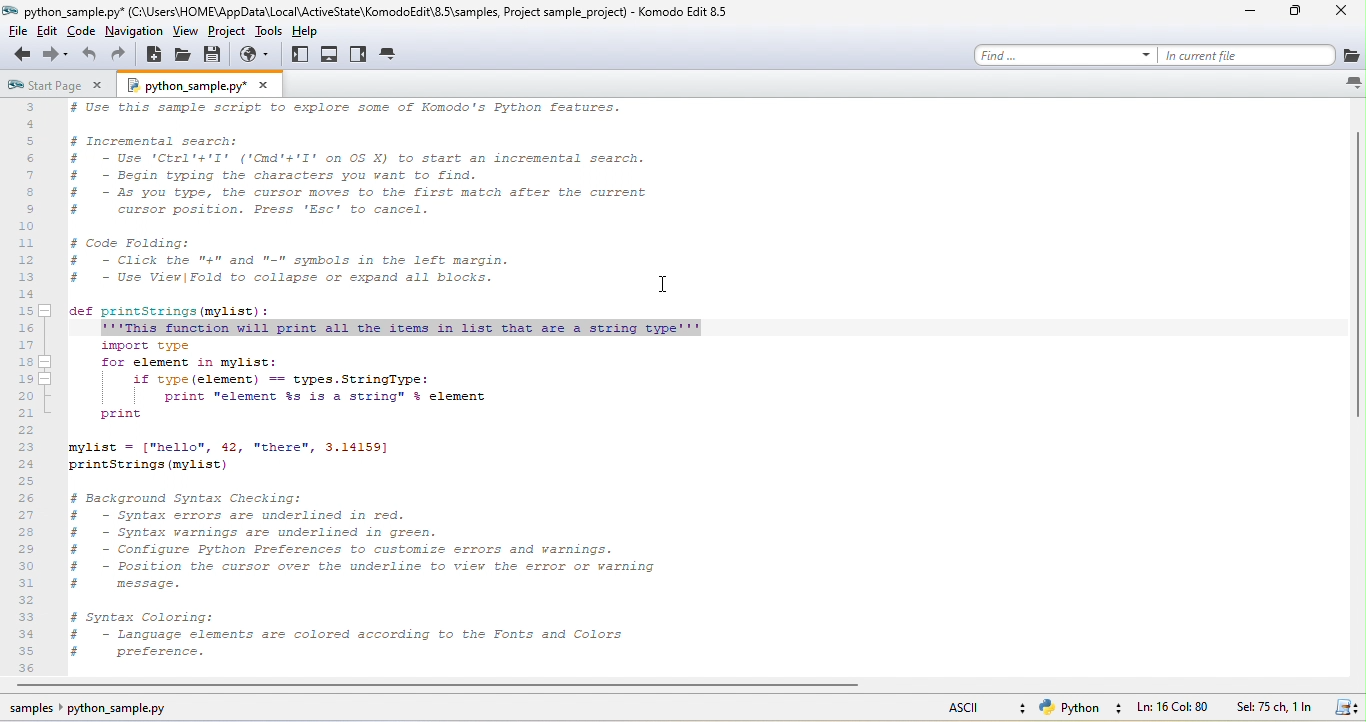  What do you see at coordinates (1351, 82) in the screenshot?
I see `icon` at bounding box center [1351, 82].